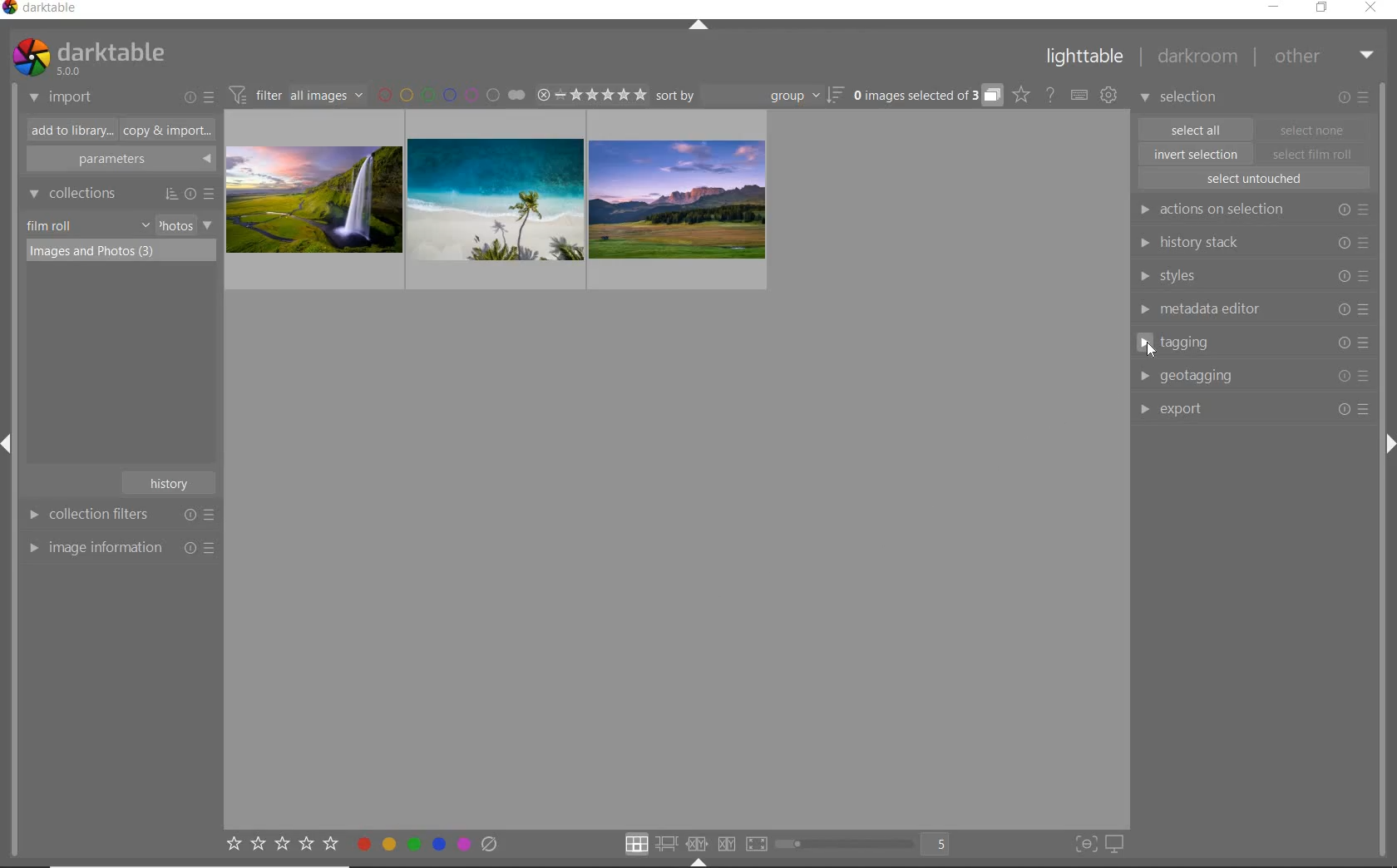  Describe the element at coordinates (1374, 9) in the screenshot. I see `close` at that location.